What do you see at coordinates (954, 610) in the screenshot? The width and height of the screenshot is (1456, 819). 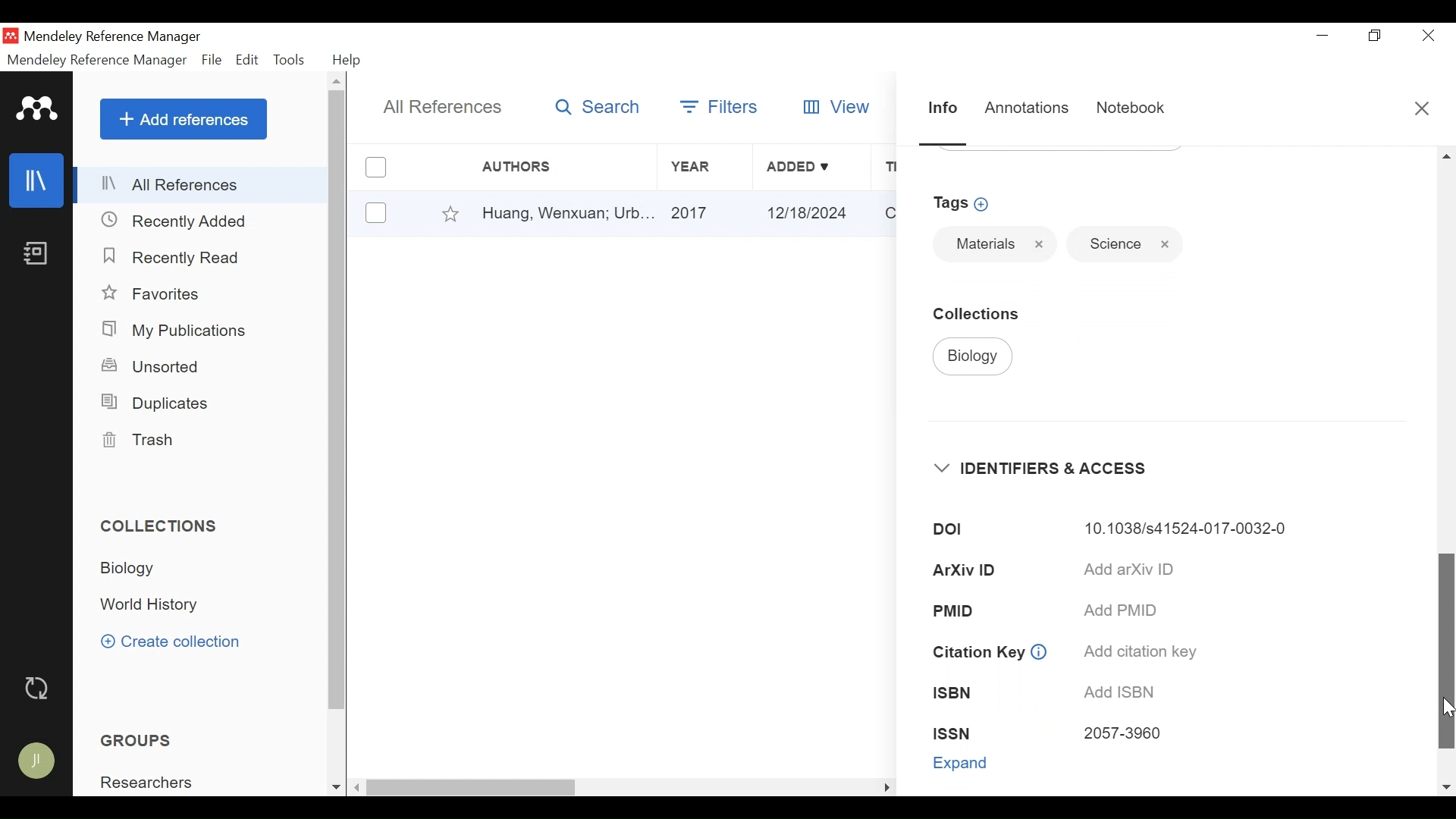 I see `PMID` at bounding box center [954, 610].